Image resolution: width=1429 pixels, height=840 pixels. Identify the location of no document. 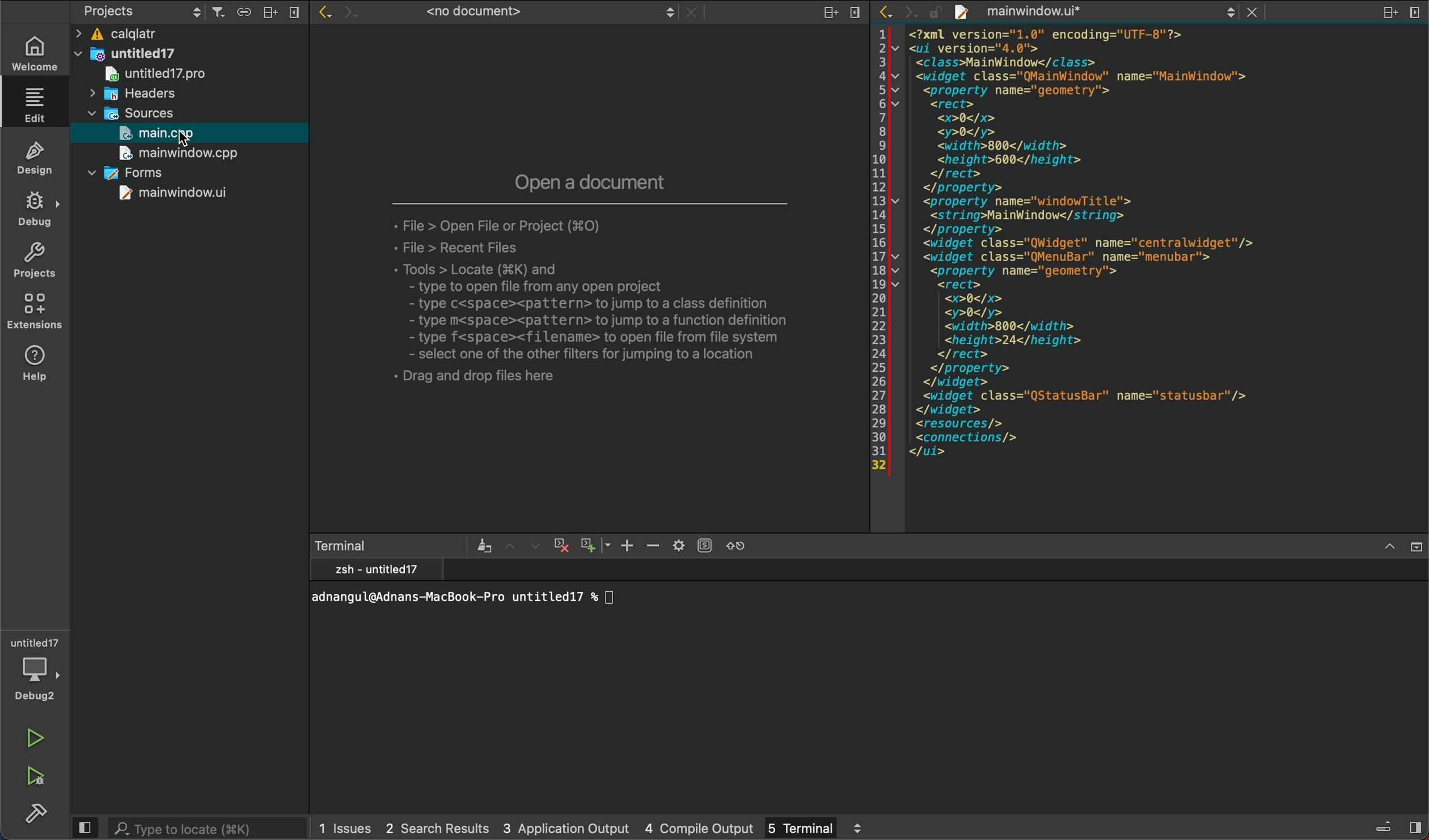
(527, 14).